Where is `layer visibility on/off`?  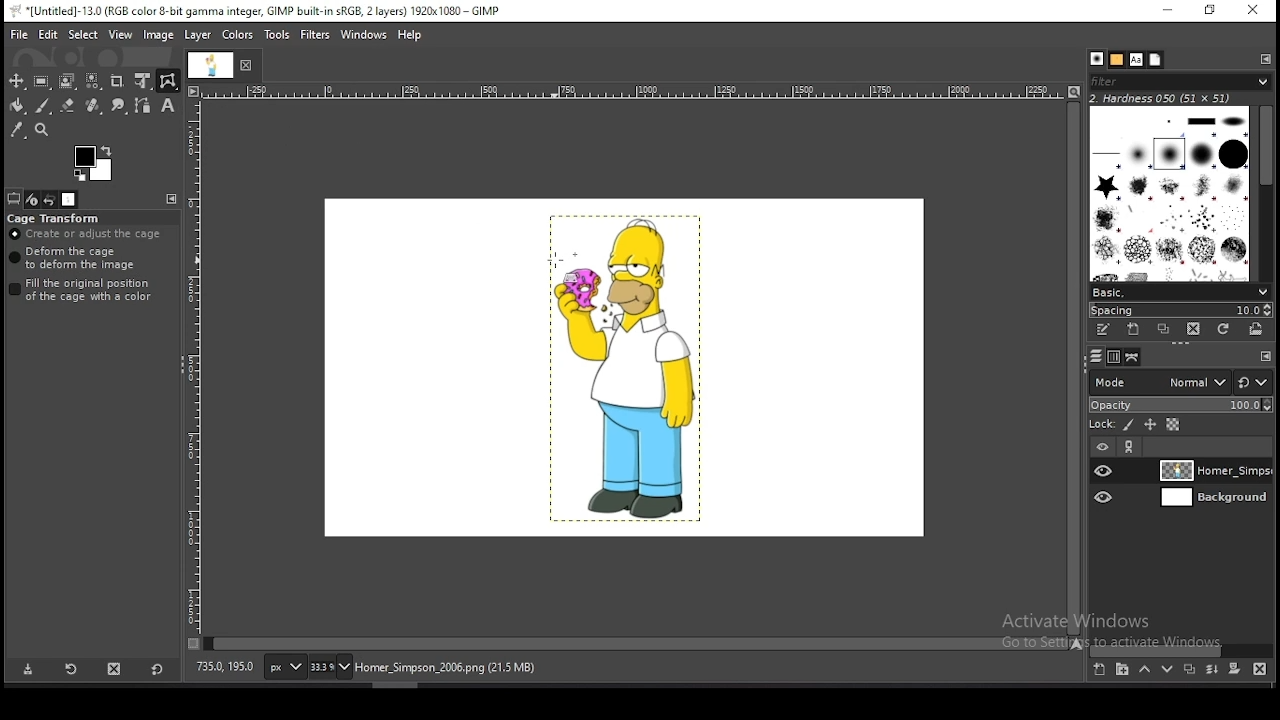
layer visibility on/off is located at coordinates (1105, 471).